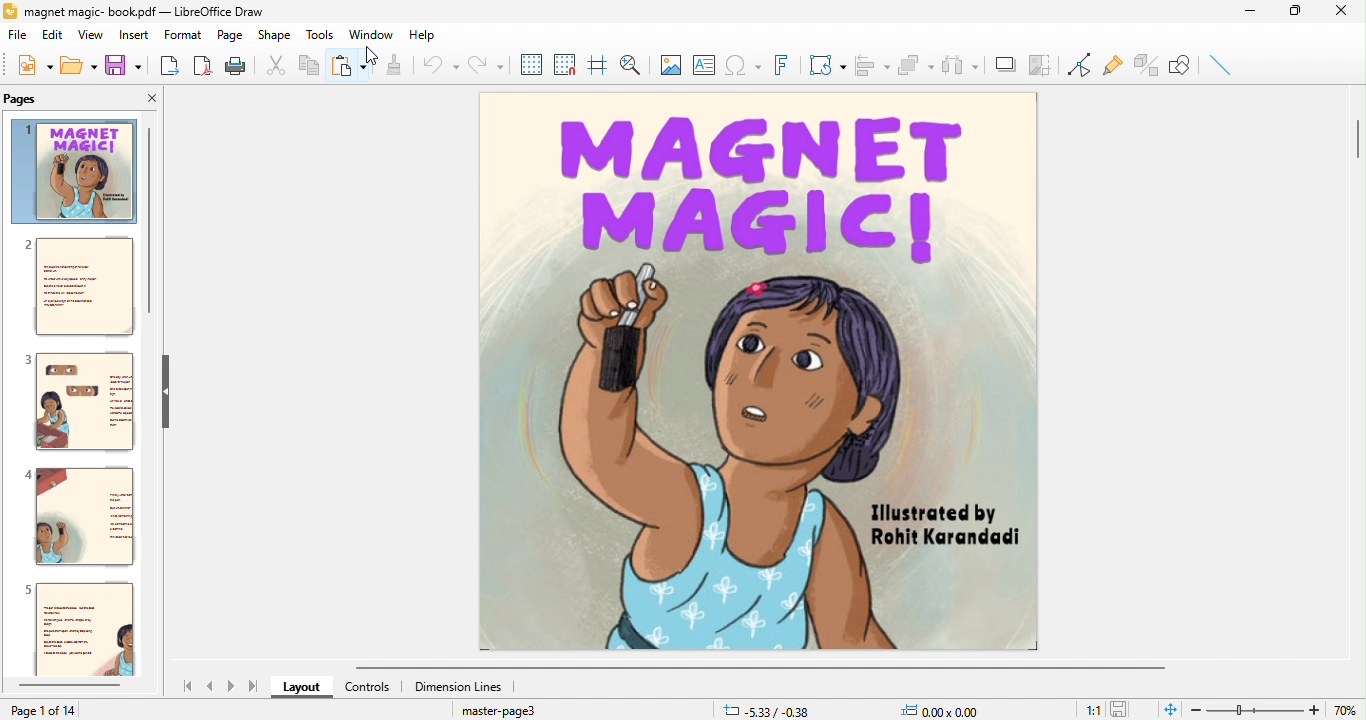  What do you see at coordinates (1296, 11) in the screenshot?
I see `maximize` at bounding box center [1296, 11].